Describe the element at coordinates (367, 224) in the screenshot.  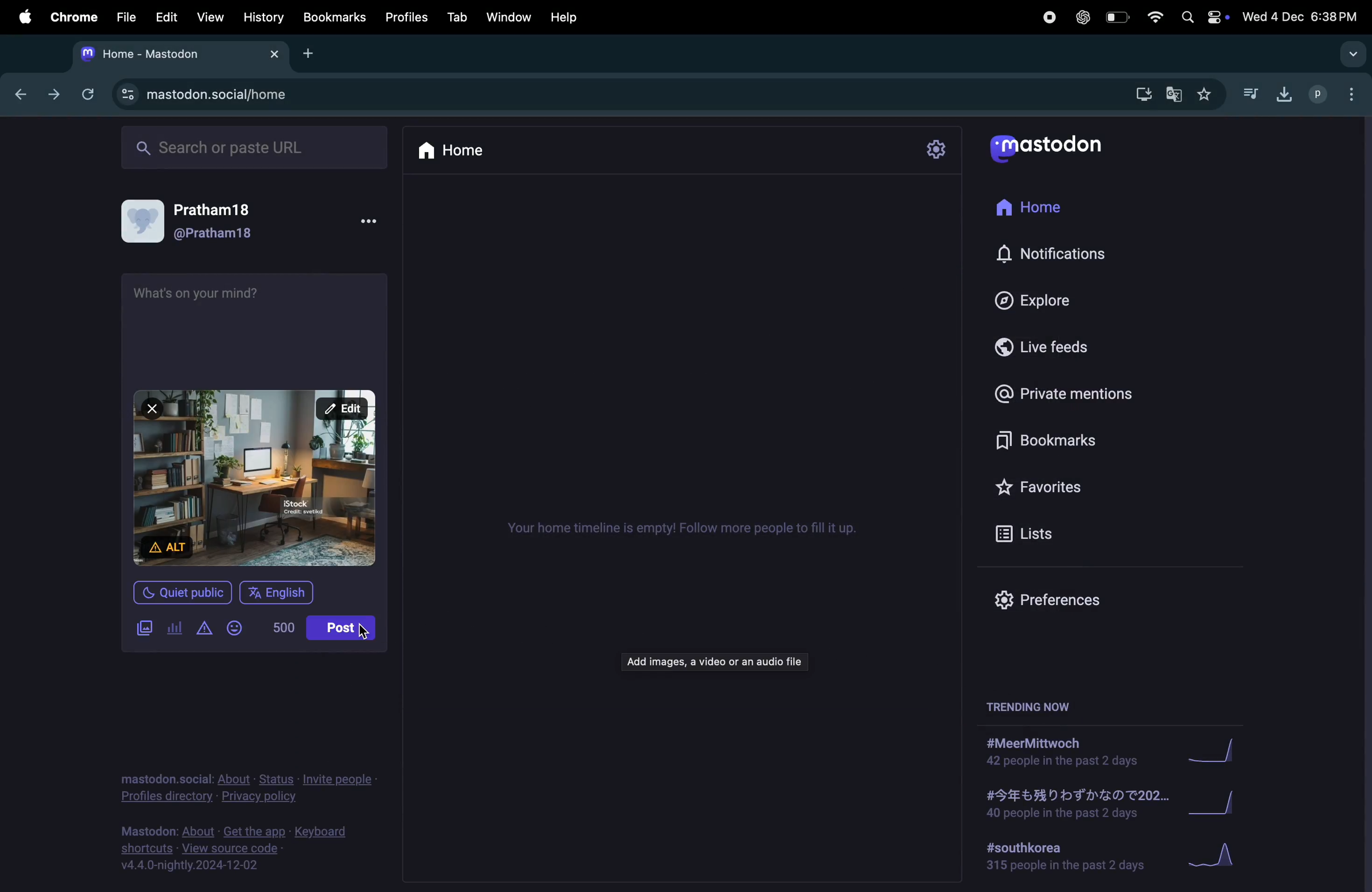
I see `options` at that location.